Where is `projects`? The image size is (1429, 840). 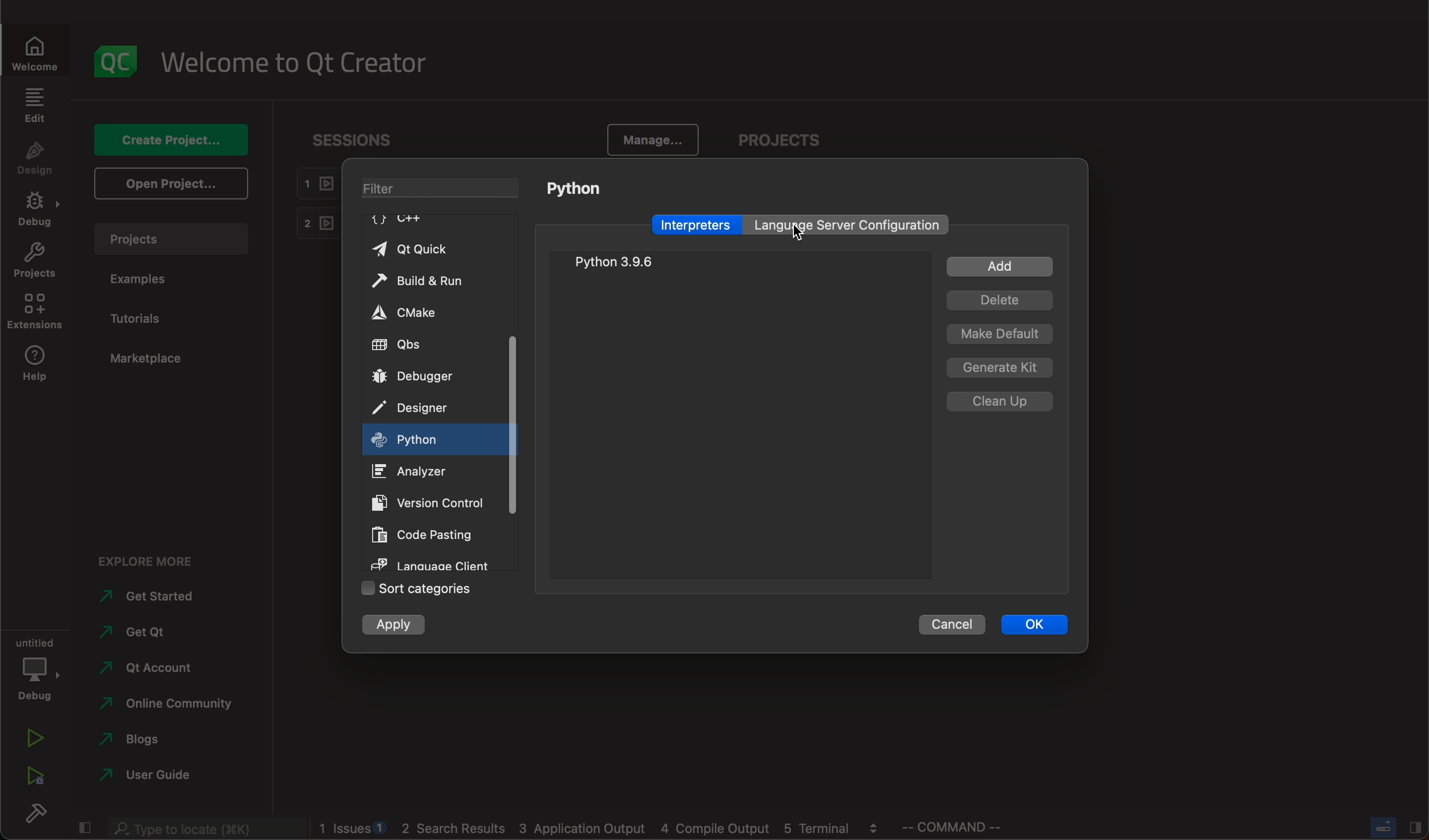
projects is located at coordinates (780, 138).